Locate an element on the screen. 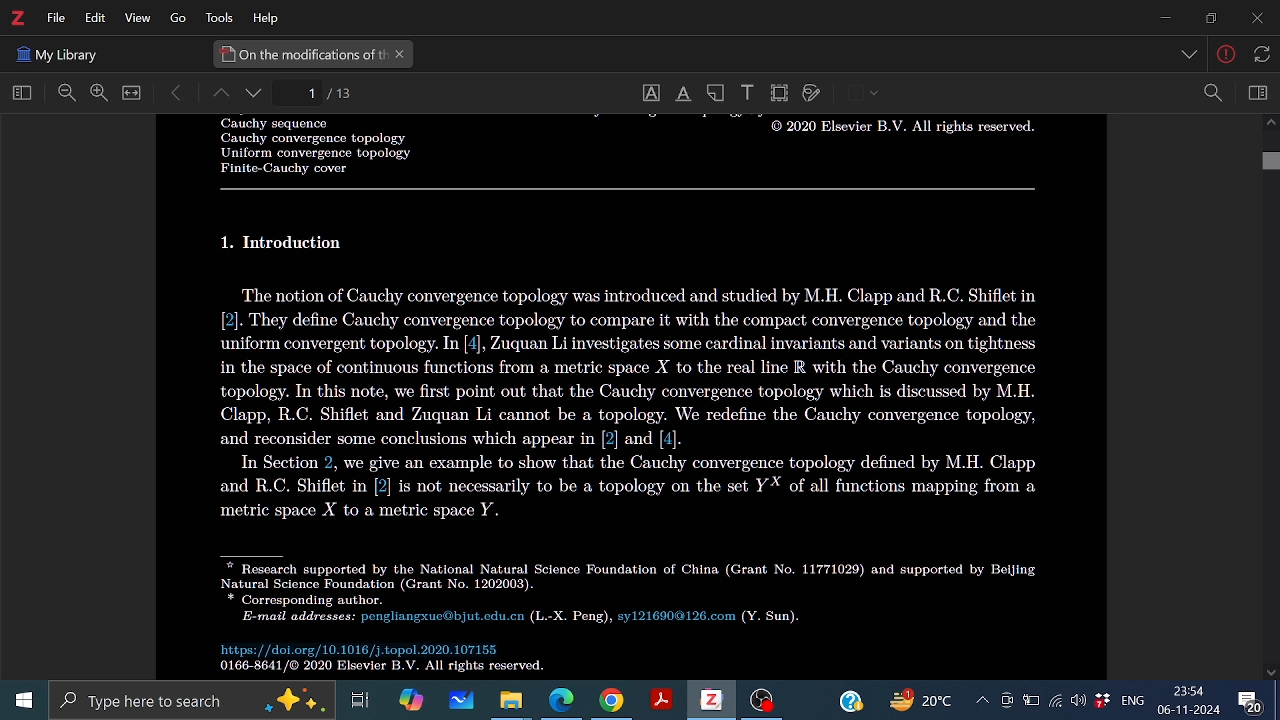 The height and width of the screenshot is (720, 1280). Batttery is located at coordinates (1031, 701).